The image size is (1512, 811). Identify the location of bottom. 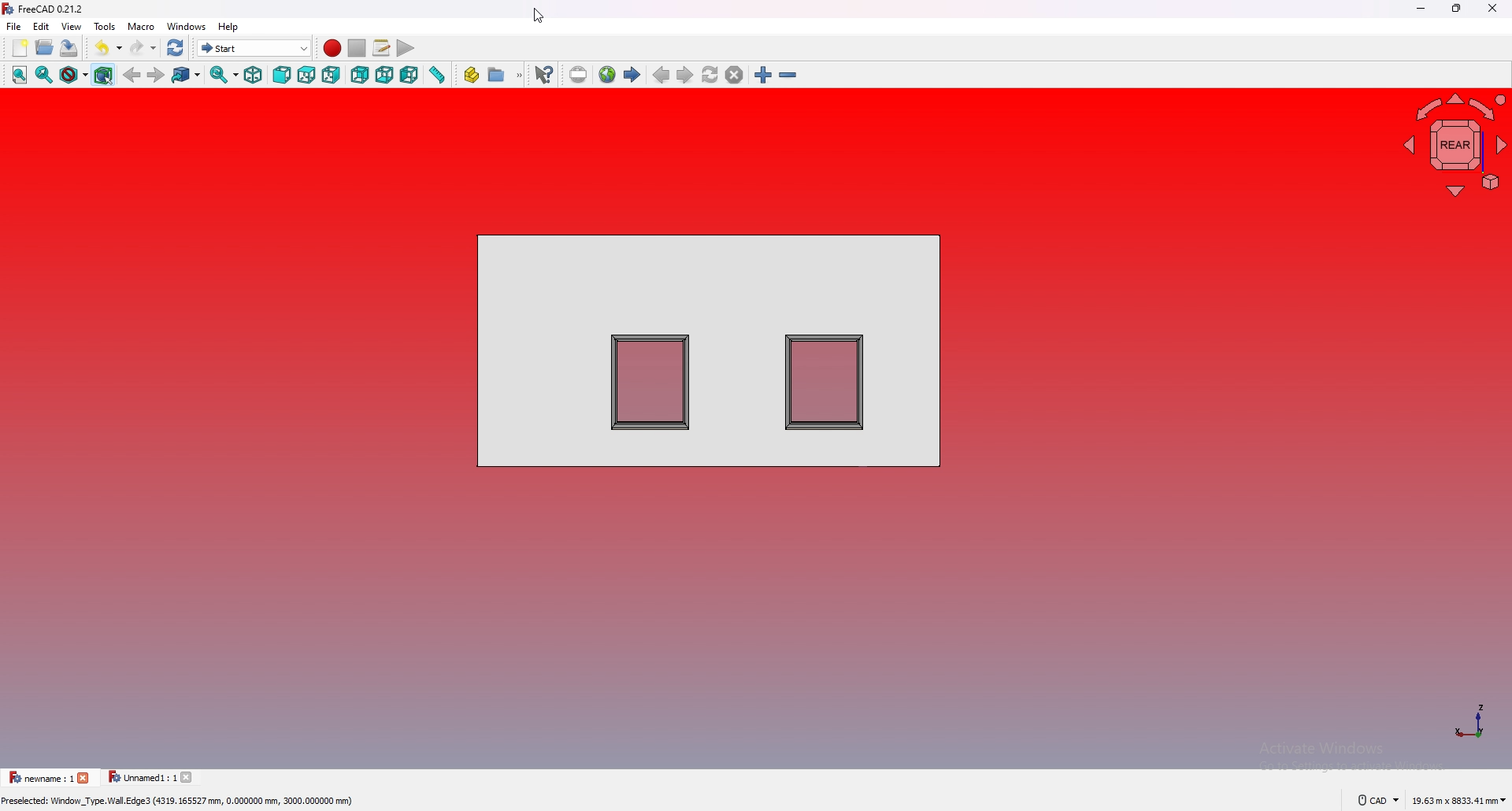
(385, 75).